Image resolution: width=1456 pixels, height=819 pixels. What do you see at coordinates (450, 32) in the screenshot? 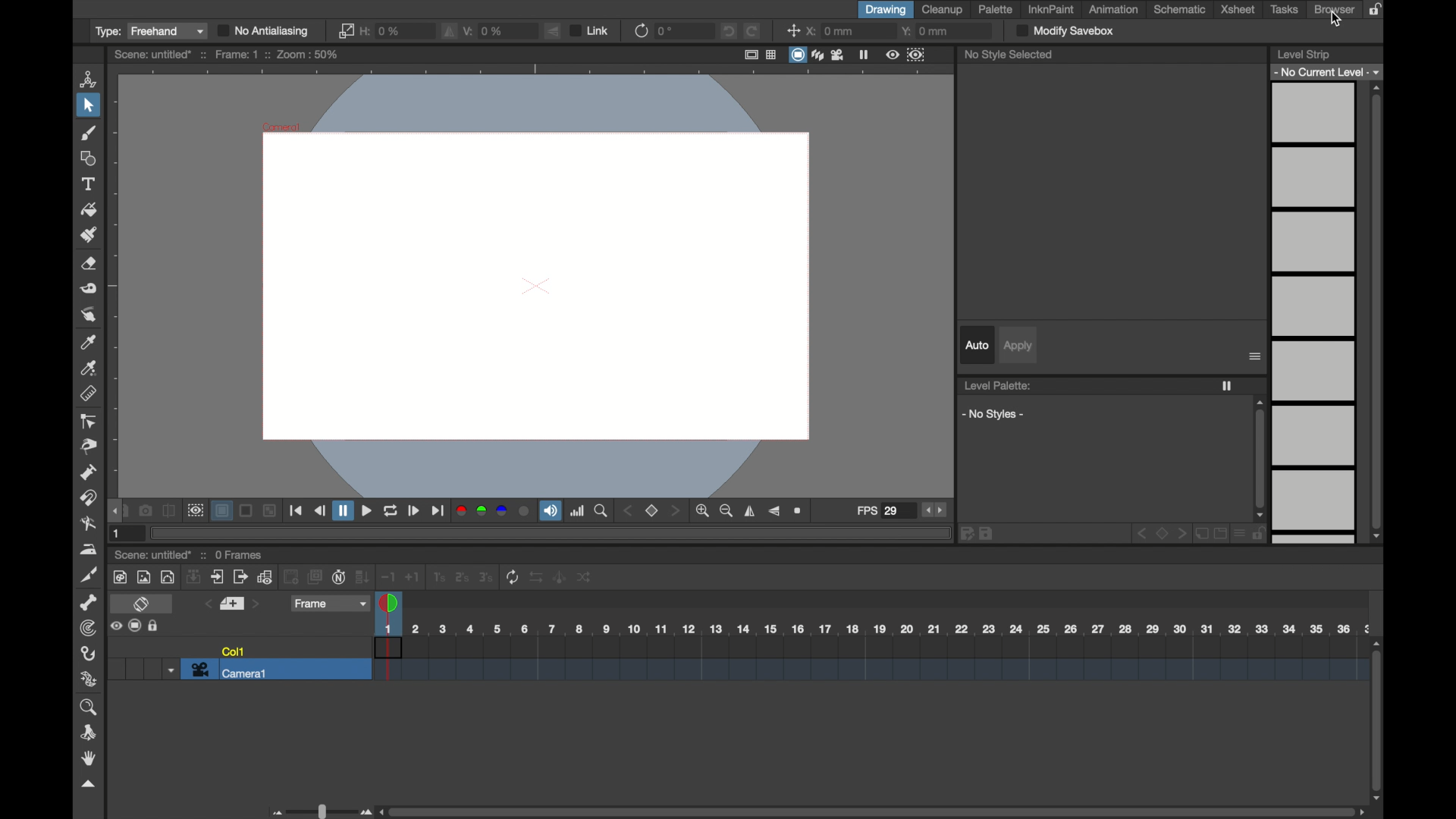
I see `flip horizontally` at bounding box center [450, 32].